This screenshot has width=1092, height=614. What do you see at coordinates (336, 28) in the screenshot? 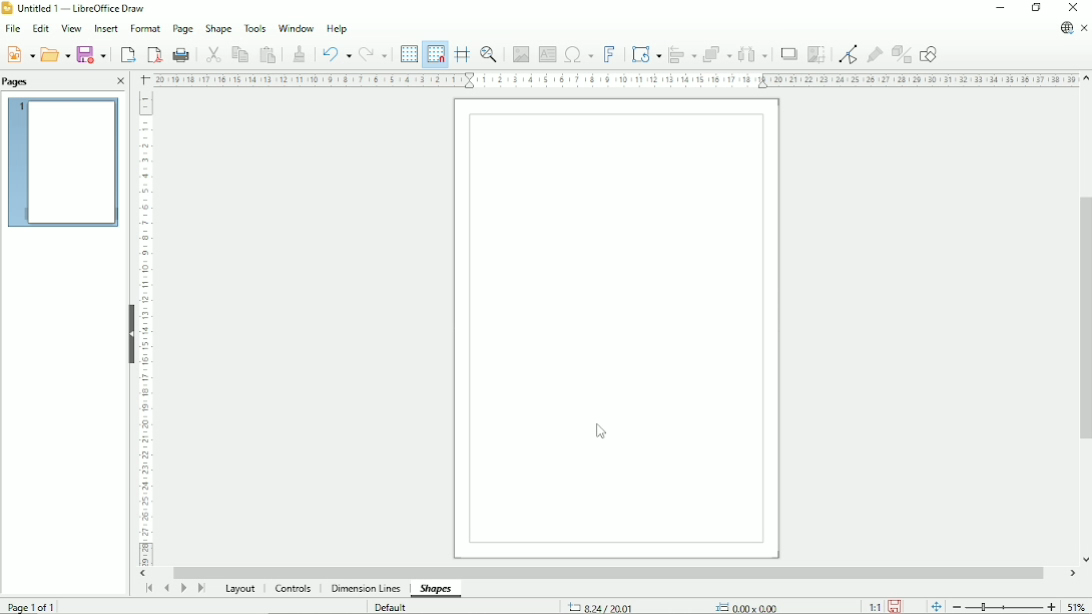
I see `Help` at bounding box center [336, 28].